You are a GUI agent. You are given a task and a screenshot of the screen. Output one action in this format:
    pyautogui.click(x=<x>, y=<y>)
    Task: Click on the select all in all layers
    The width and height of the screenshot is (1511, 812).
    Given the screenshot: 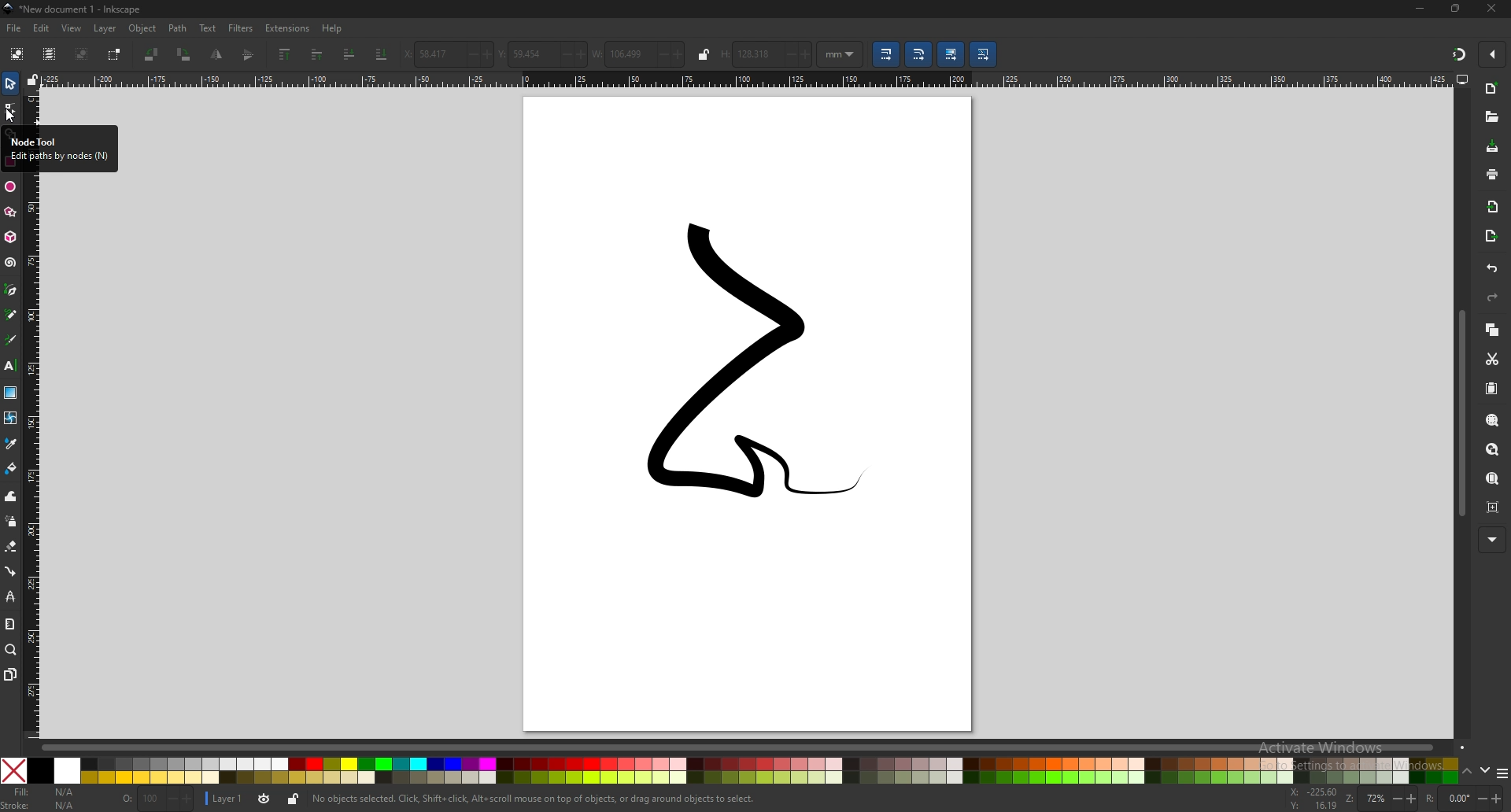 What is the action you would take?
    pyautogui.click(x=50, y=54)
    